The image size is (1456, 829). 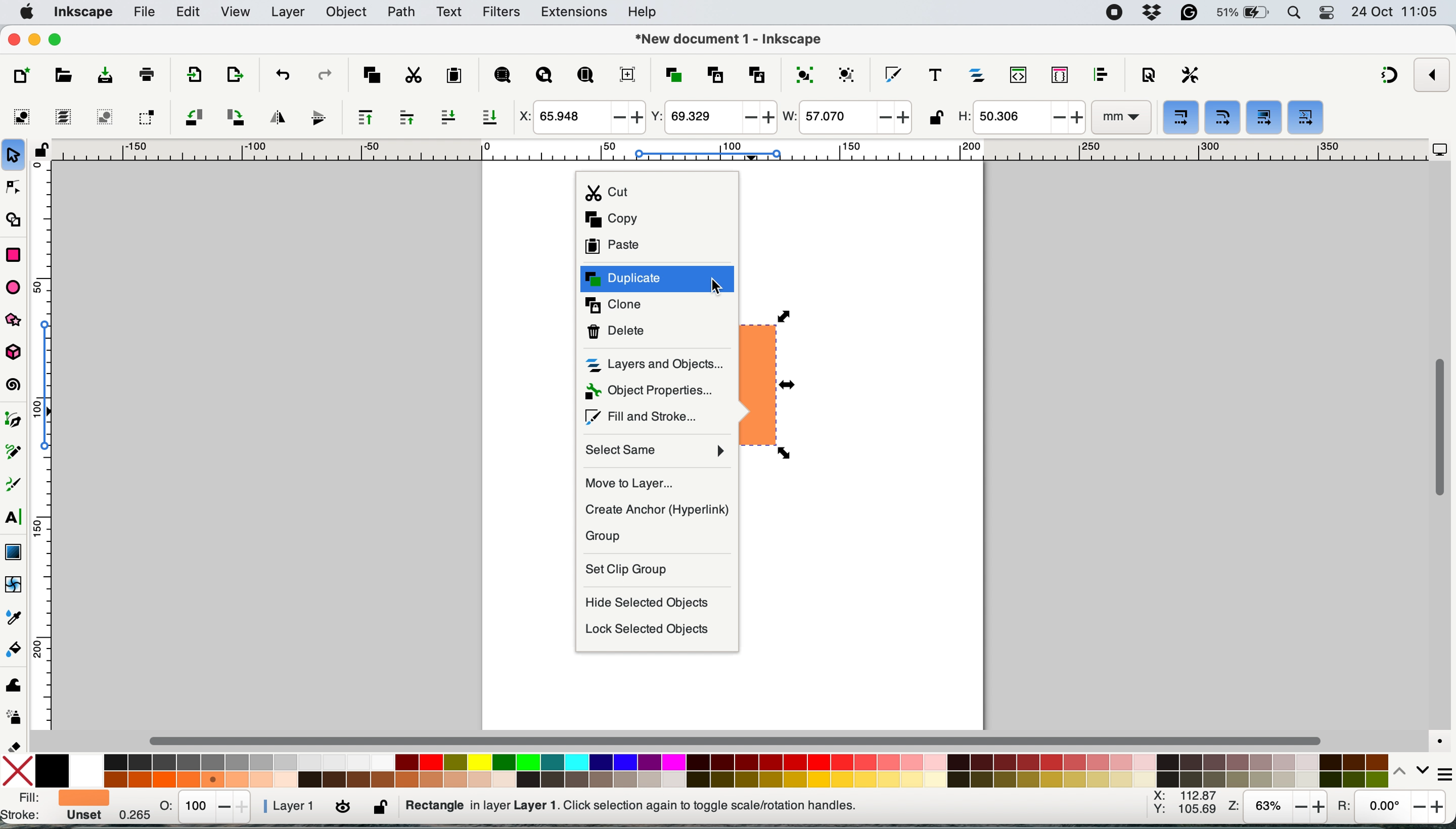 What do you see at coordinates (15, 386) in the screenshot?
I see `spiral tool` at bounding box center [15, 386].